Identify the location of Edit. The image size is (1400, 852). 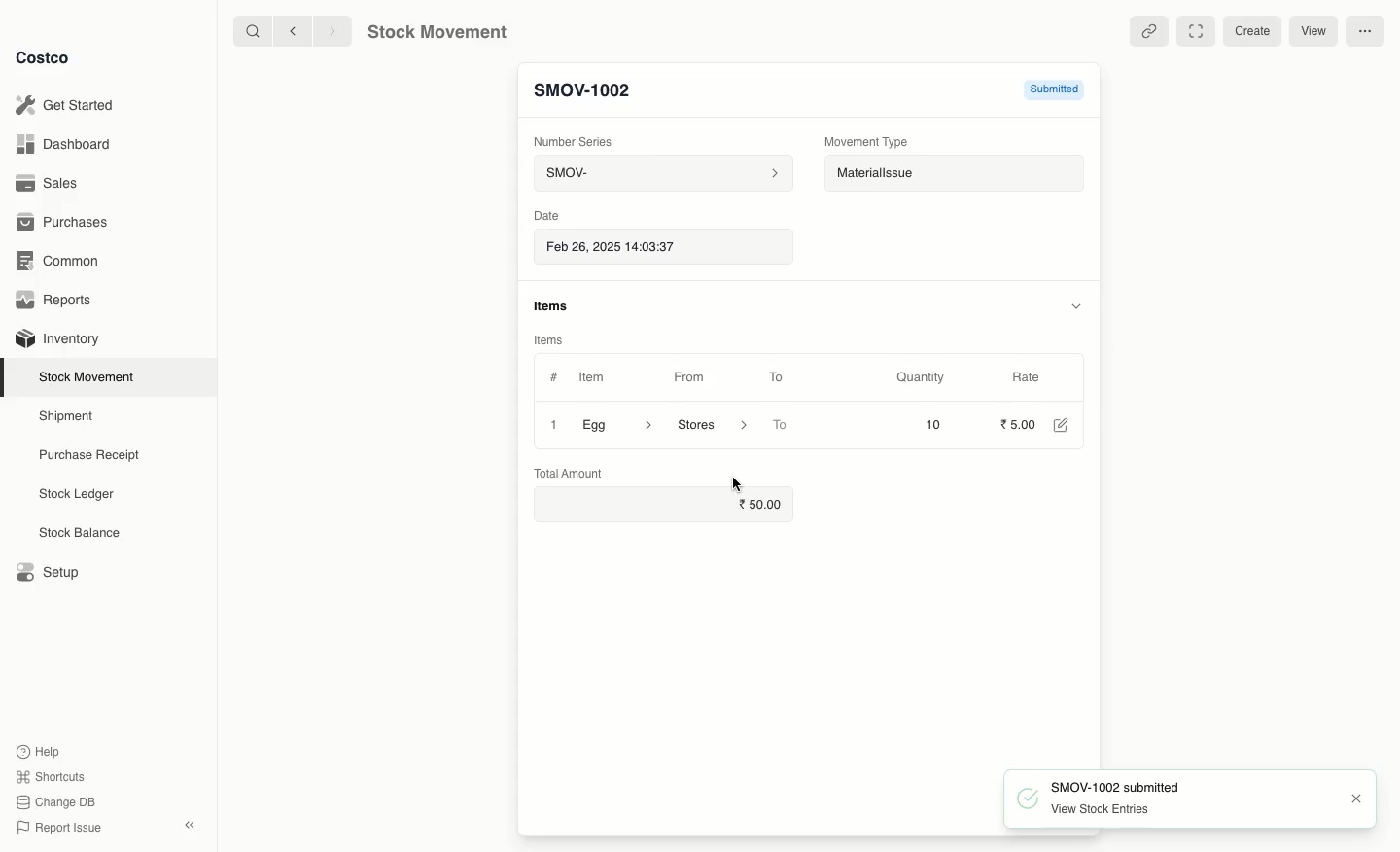
(1066, 427).